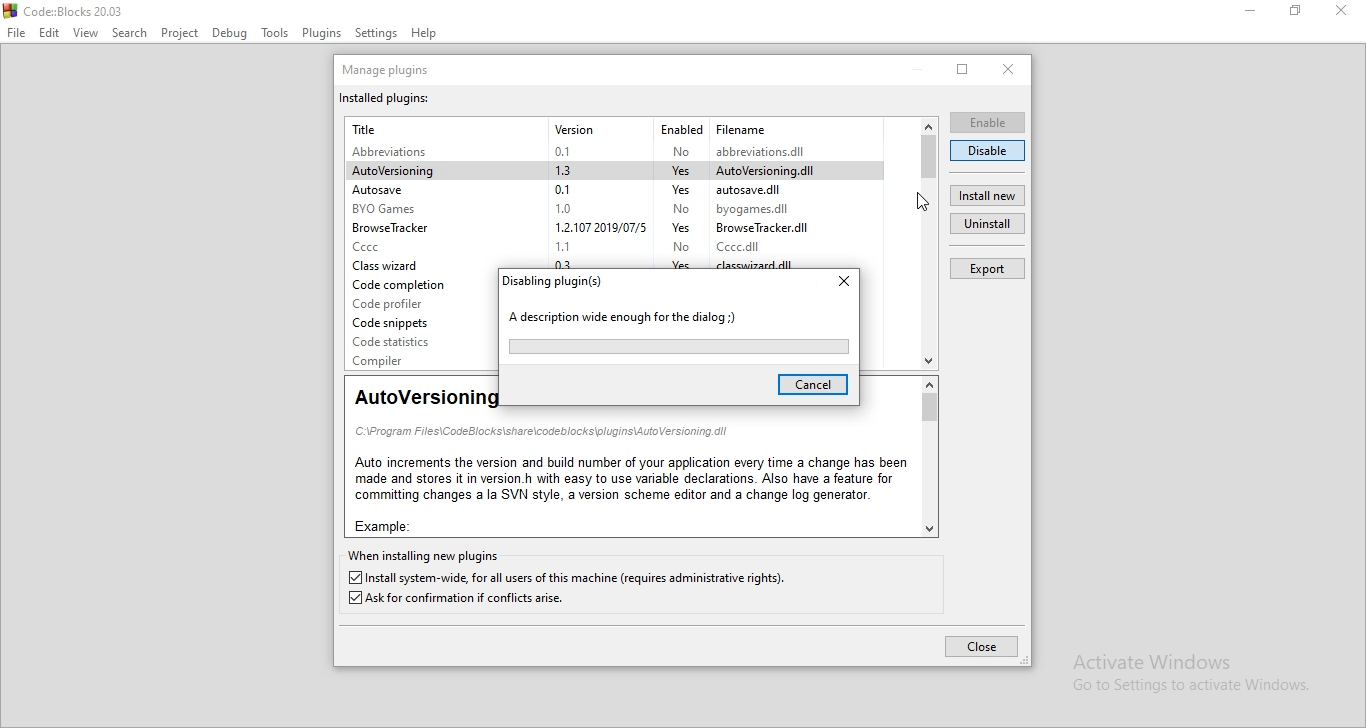 This screenshot has height=728, width=1366. I want to click on AutoVersioning.dil, so click(773, 170).